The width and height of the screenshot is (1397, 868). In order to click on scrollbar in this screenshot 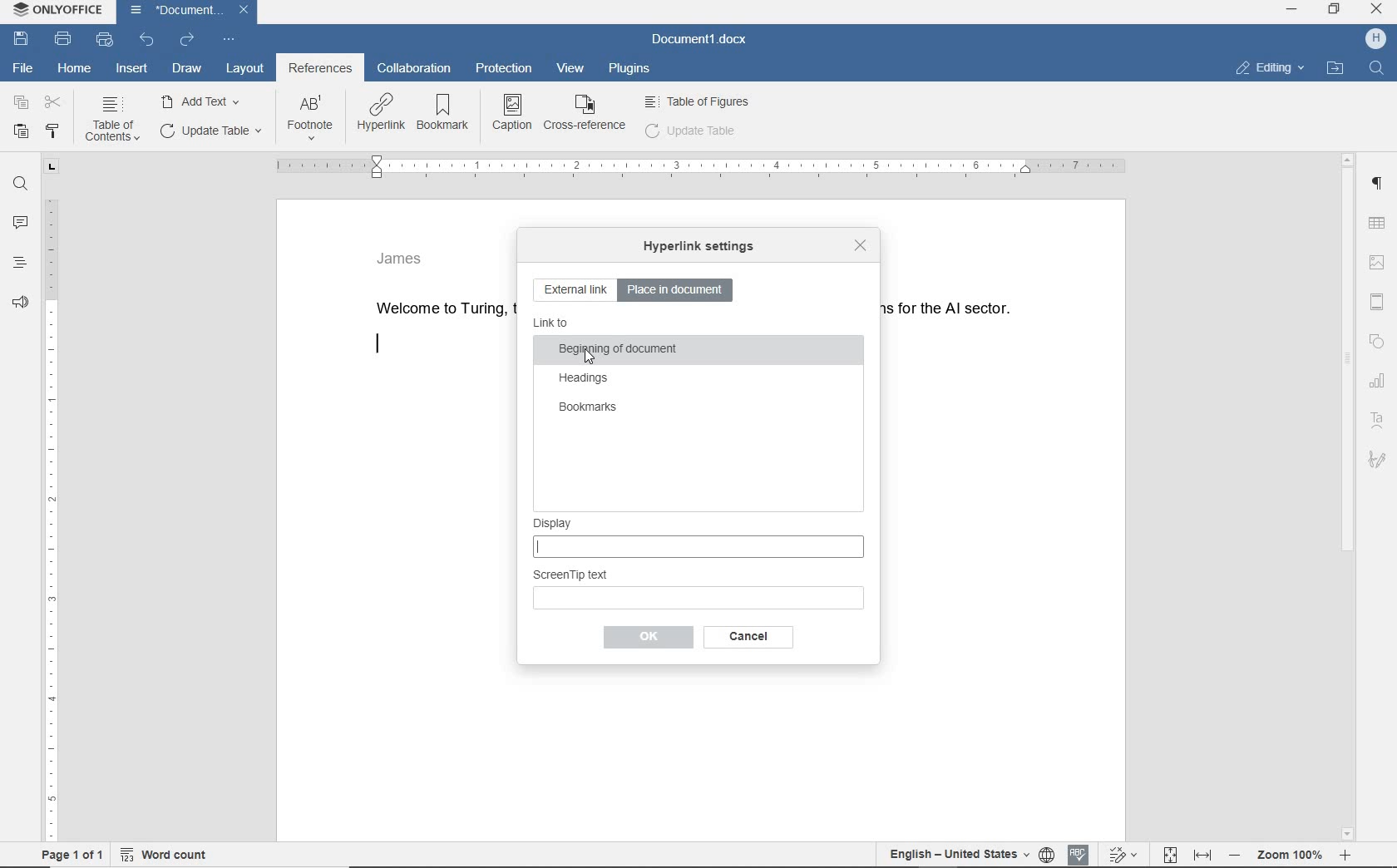, I will do `click(1348, 495)`.